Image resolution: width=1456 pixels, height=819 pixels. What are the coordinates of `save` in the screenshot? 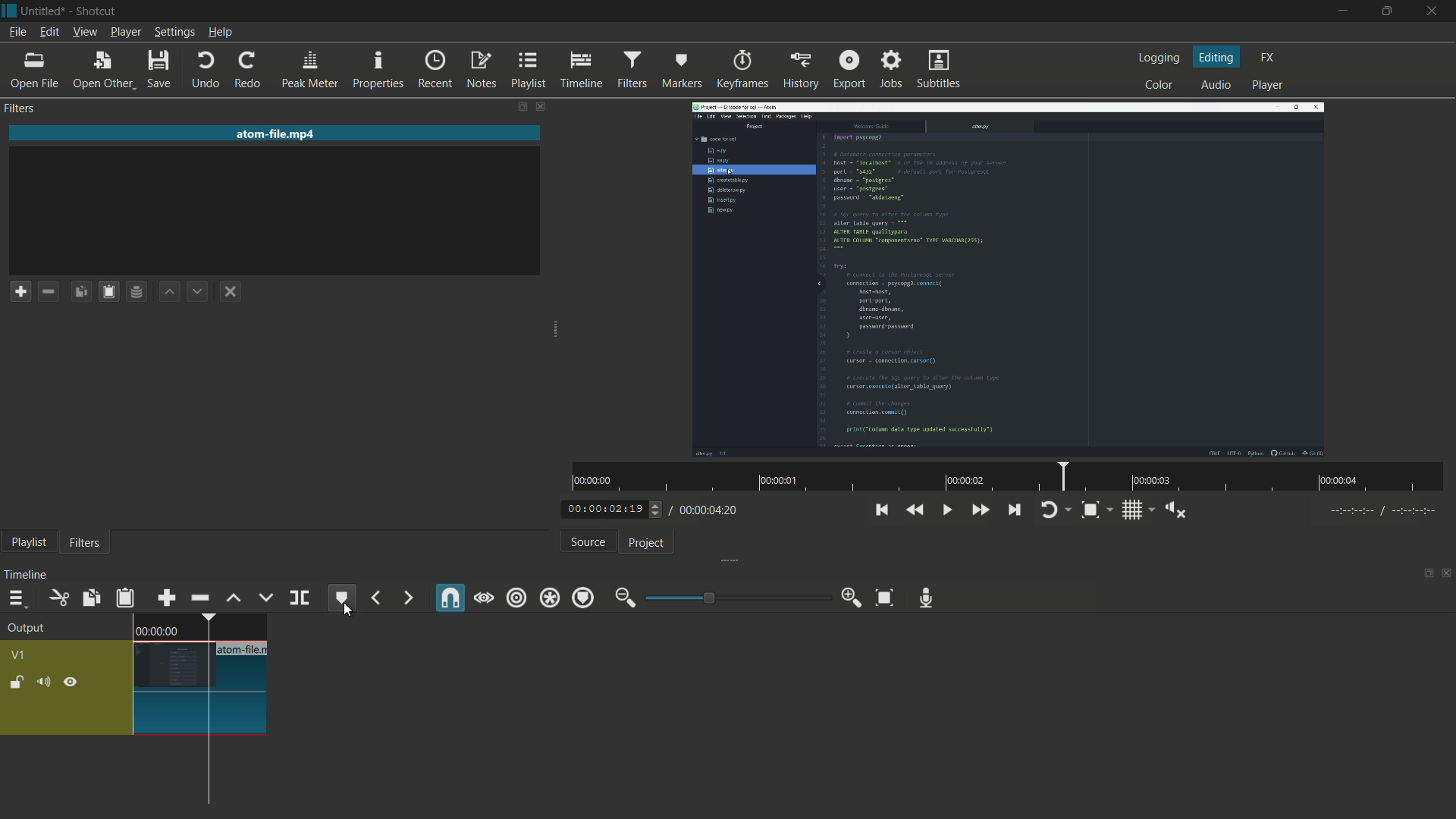 It's located at (157, 71).